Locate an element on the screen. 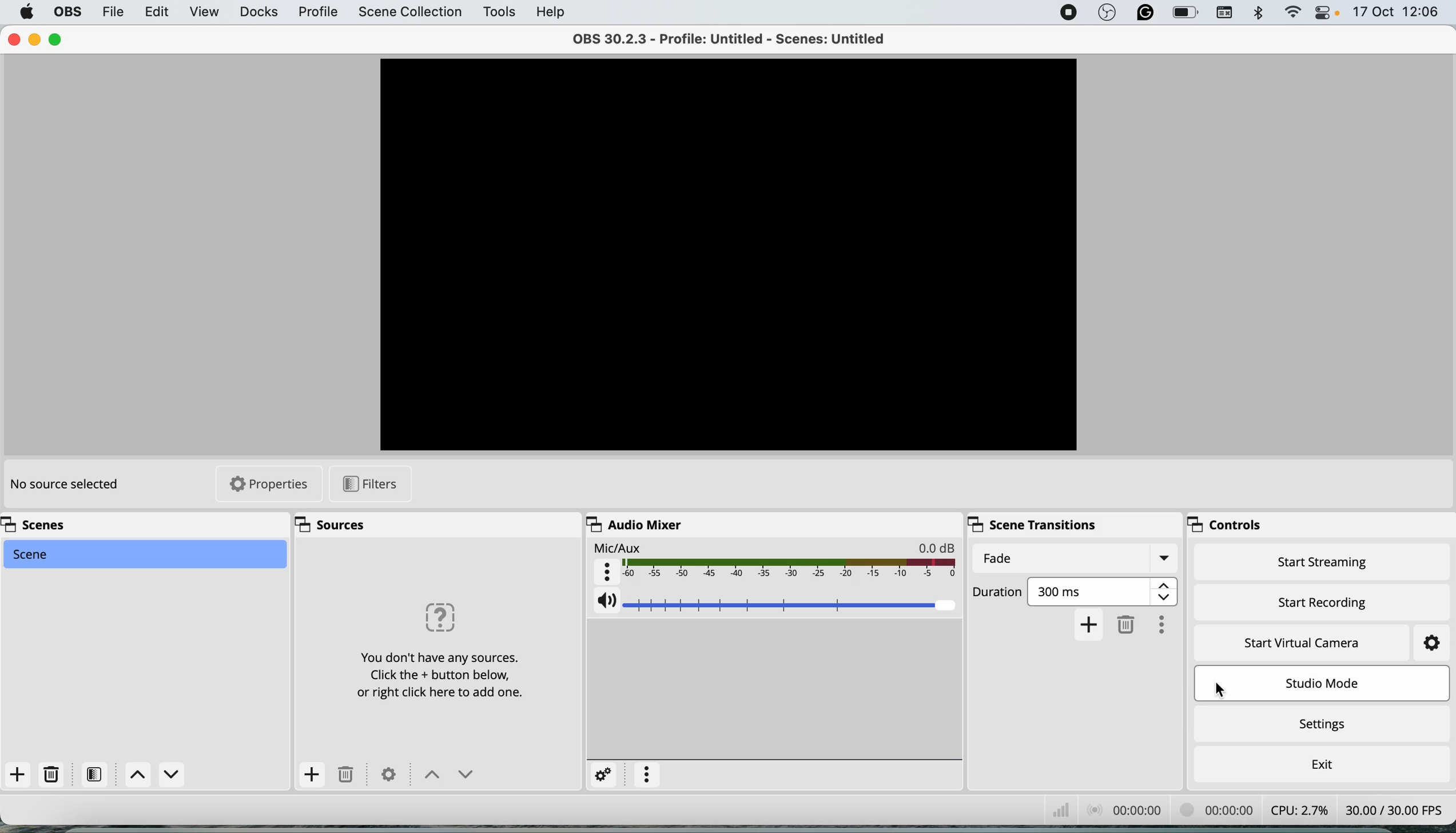  docks is located at coordinates (258, 13).